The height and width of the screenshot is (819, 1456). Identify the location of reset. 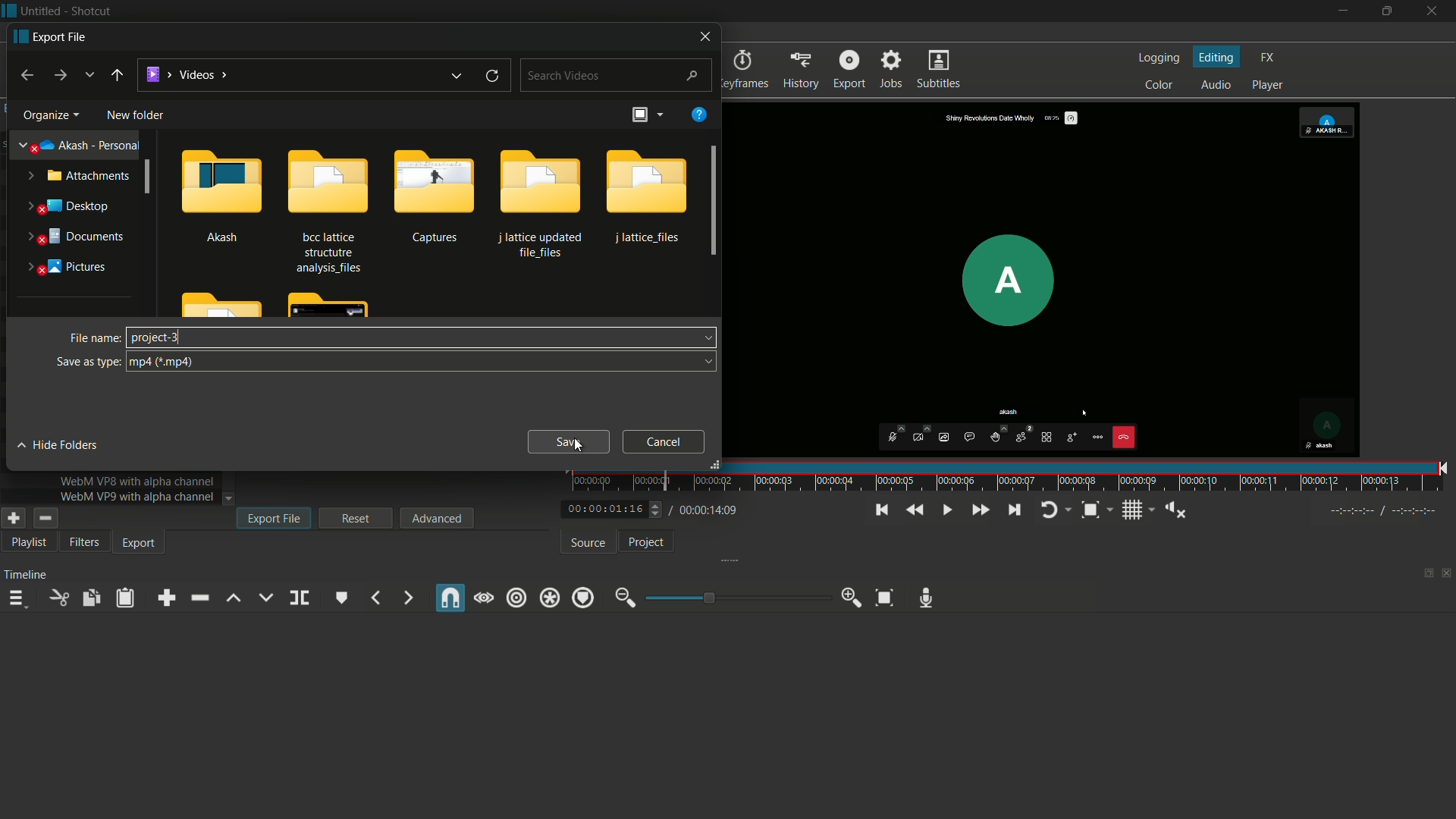
(356, 518).